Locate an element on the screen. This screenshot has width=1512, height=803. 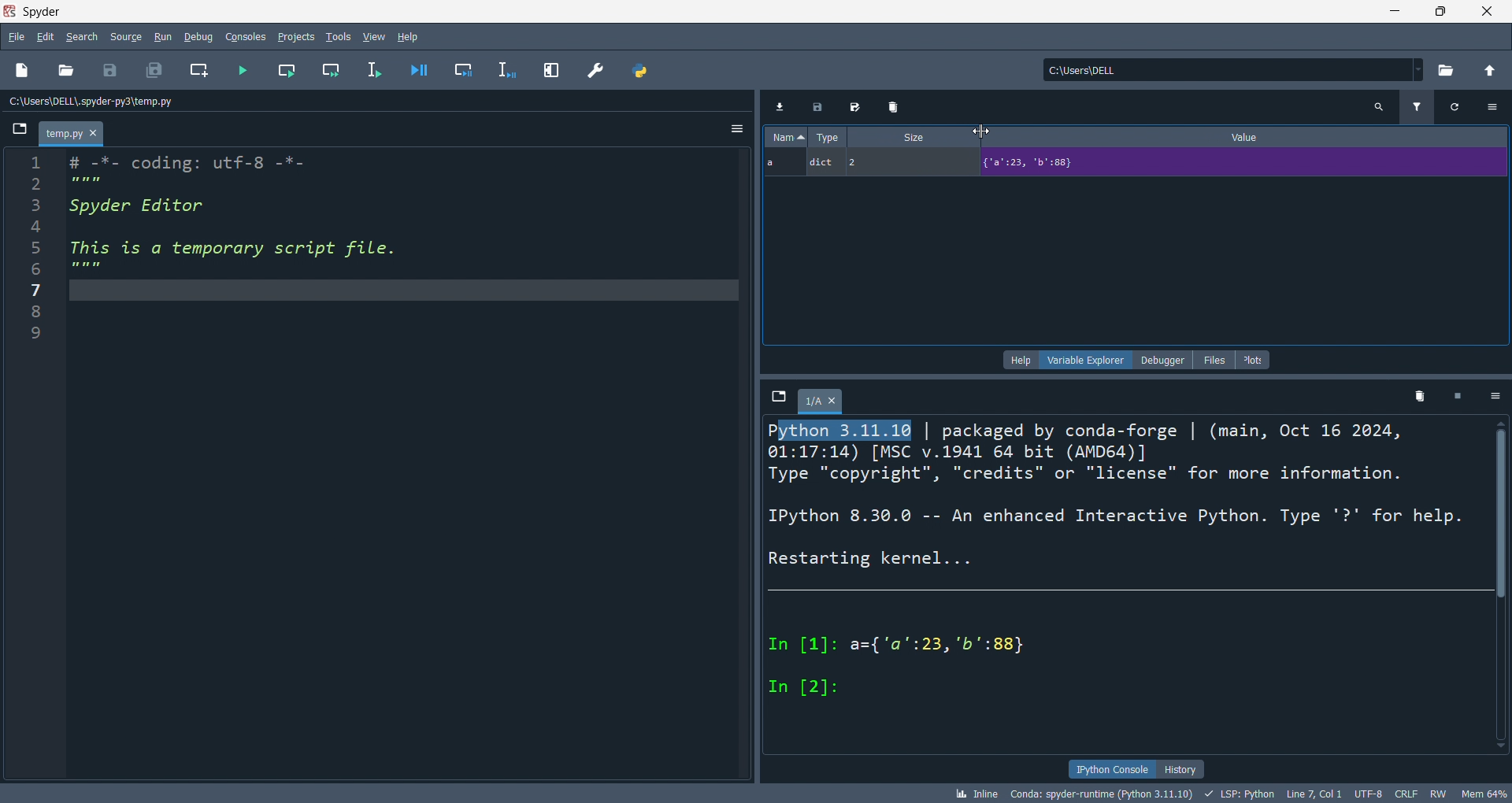
plot is located at coordinates (1254, 360).